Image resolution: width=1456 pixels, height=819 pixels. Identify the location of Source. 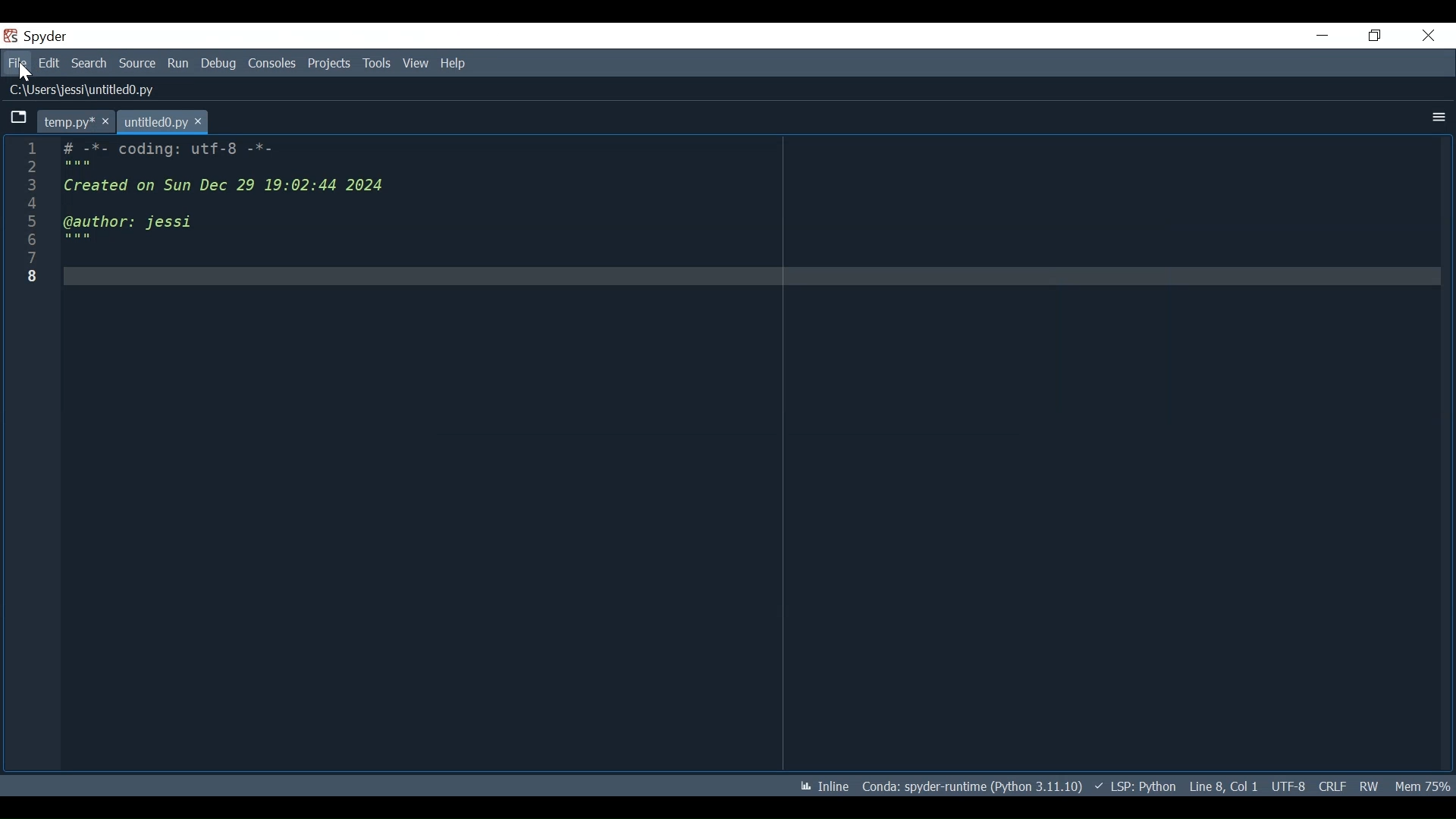
(138, 64).